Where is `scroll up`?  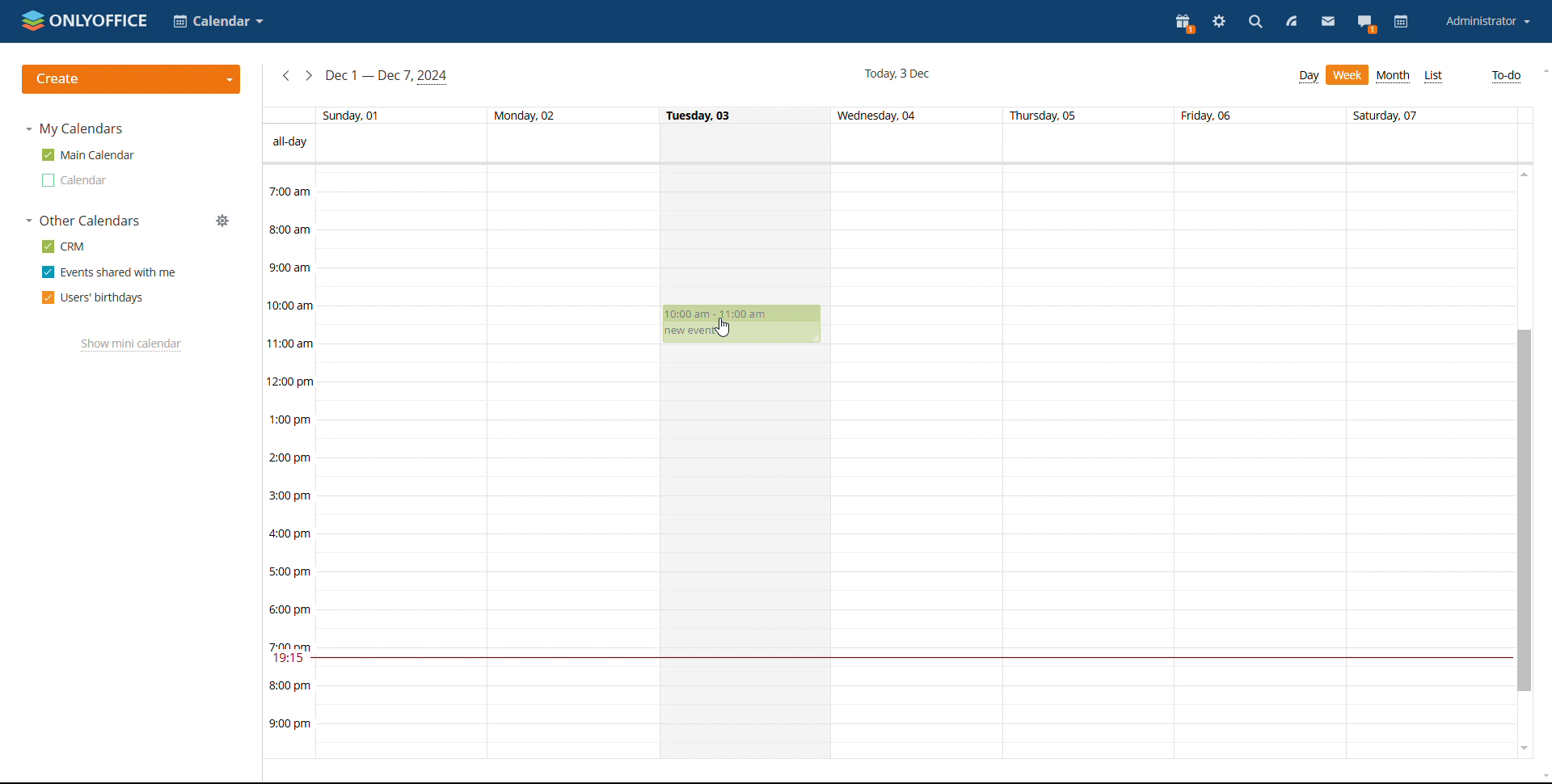 scroll up is located at coordinates (1542, 70).